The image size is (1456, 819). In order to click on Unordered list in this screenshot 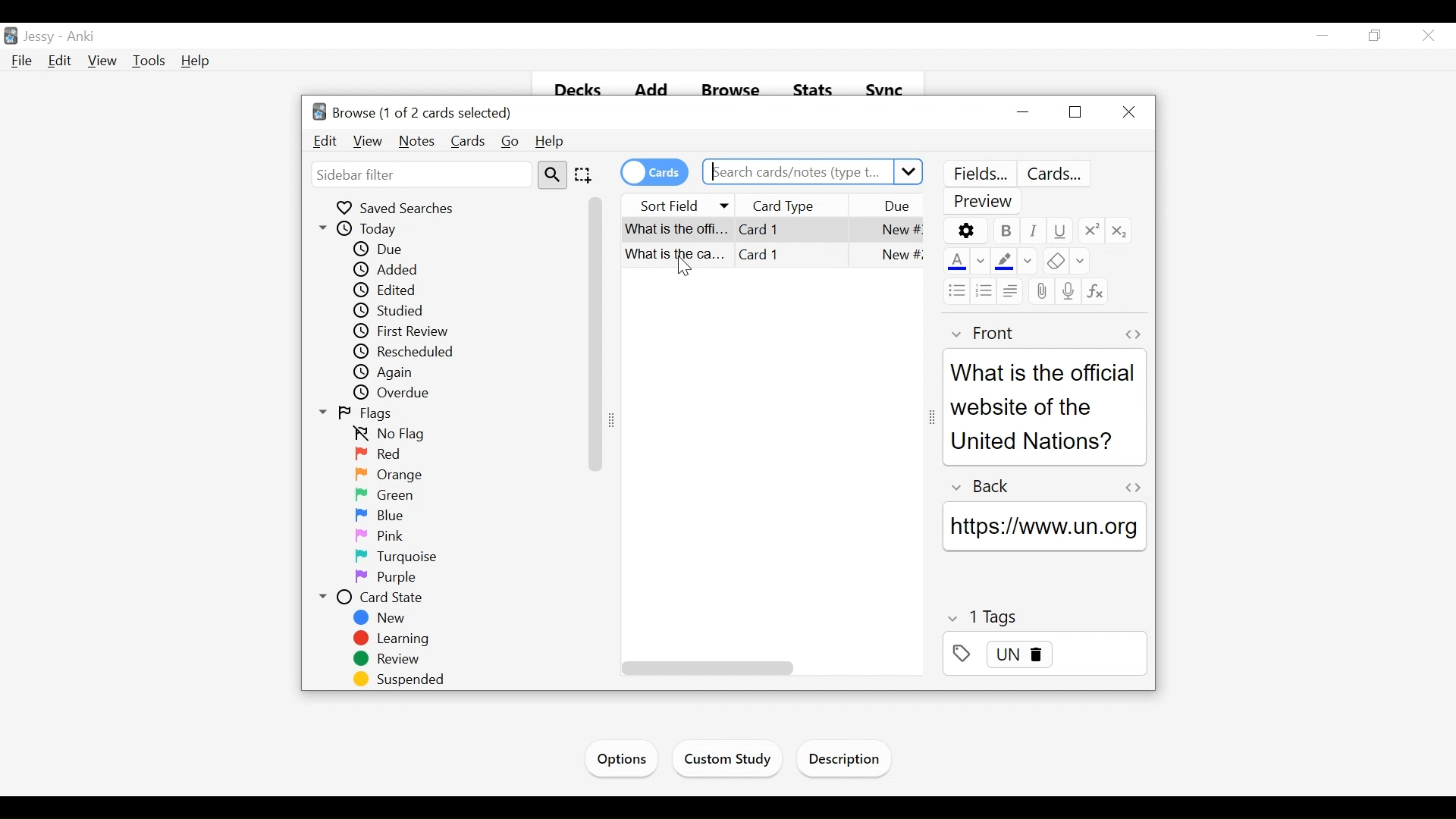, I will do `click(955, 290)`.